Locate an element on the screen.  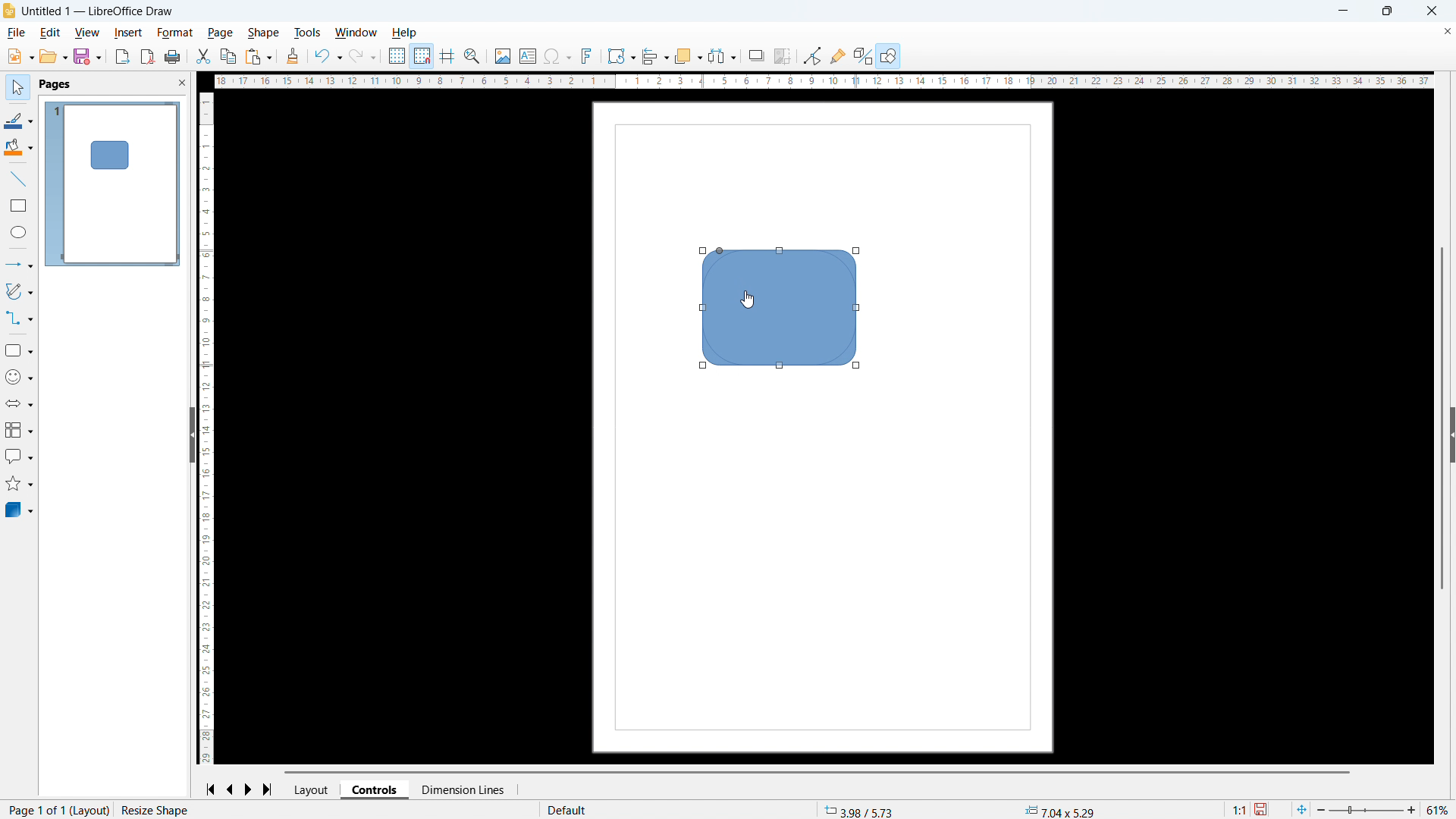
Format  is located at coordinates (175, 33).